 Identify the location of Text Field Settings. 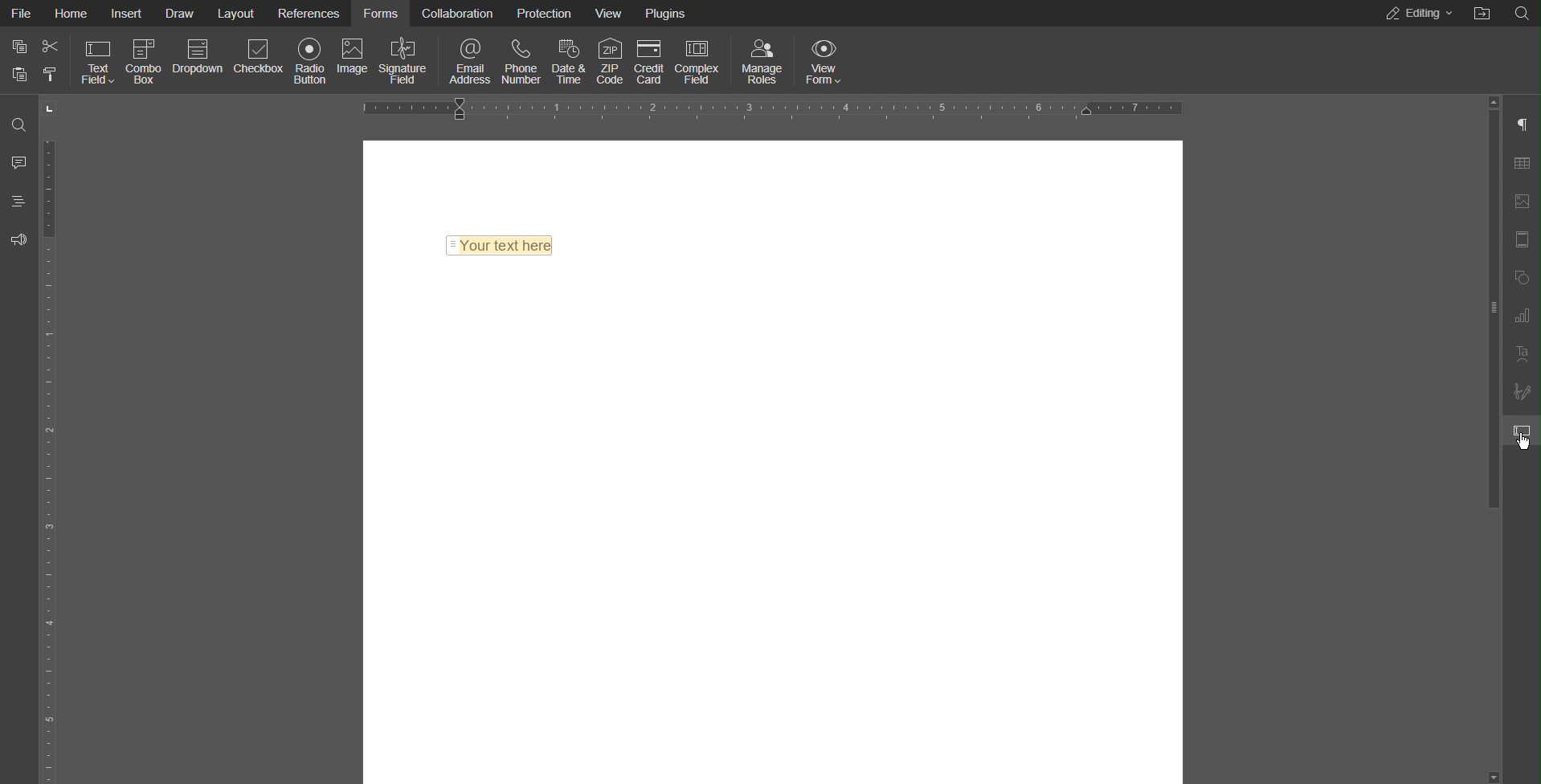
(1521, 430).